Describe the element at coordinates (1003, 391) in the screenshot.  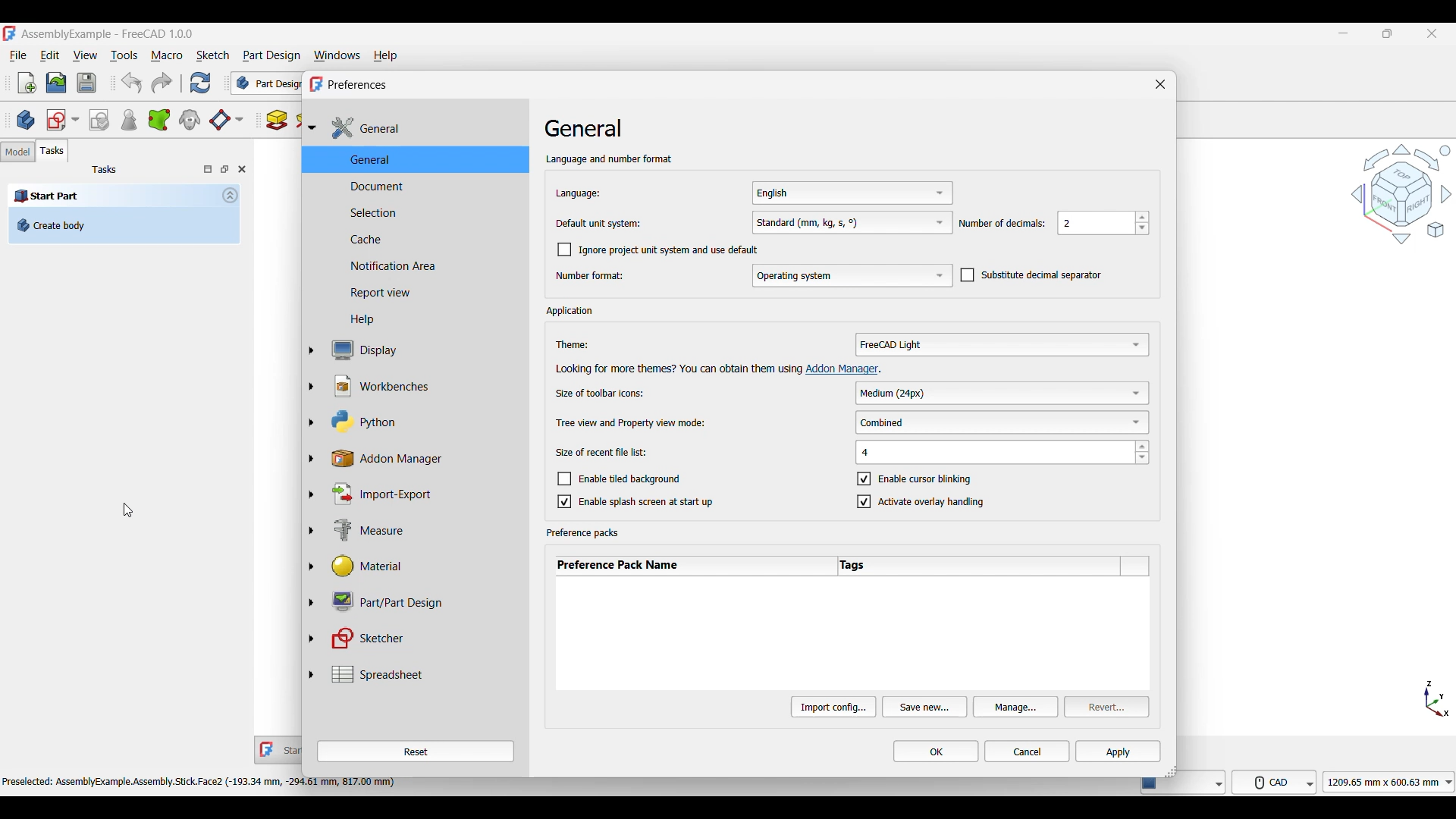
I see `Medium (24px)` at that location.